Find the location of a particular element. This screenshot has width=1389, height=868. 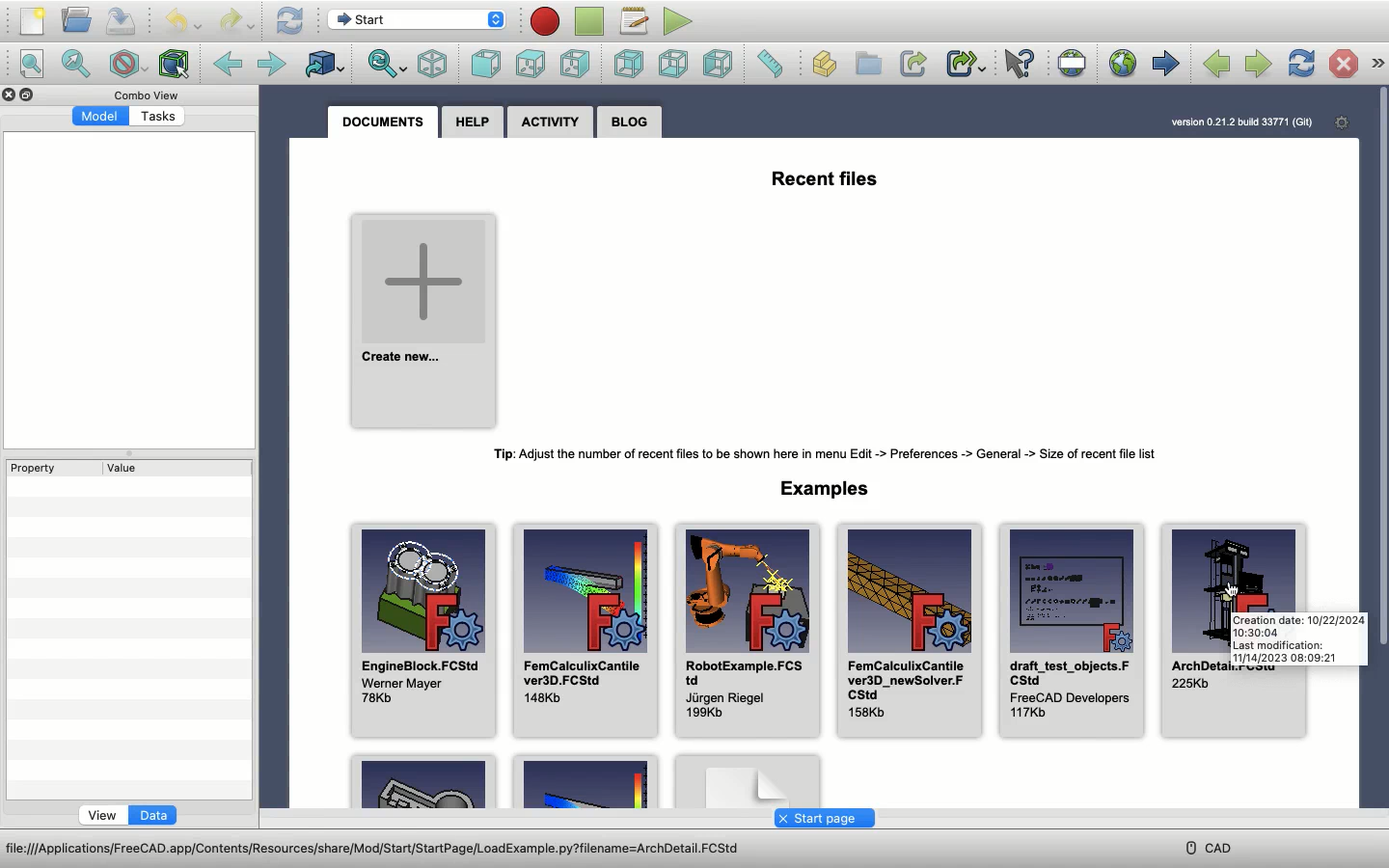

Bounding box is located at coordinates (172, 64).